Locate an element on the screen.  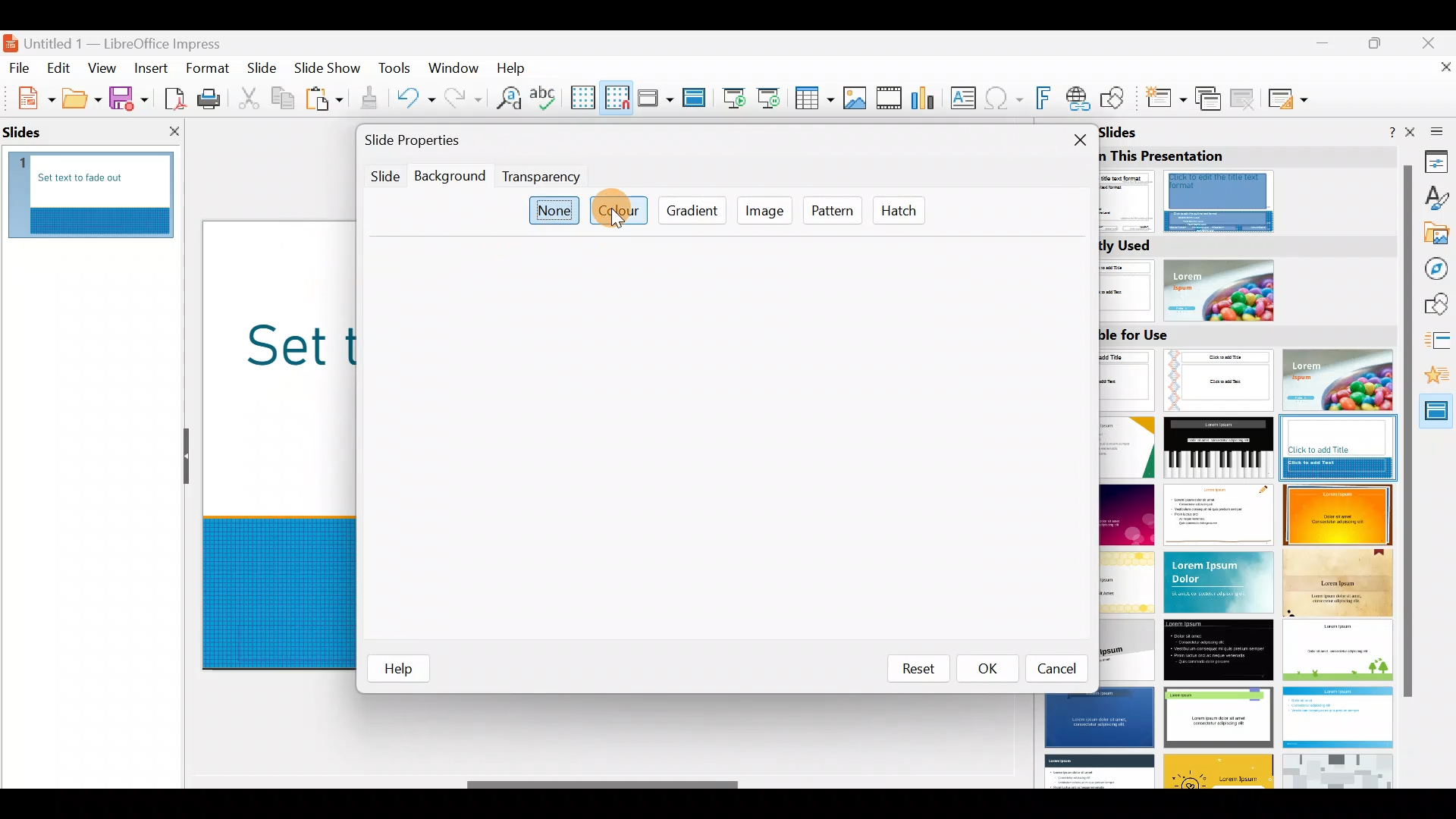
Tools is located at coordinates (396, 71).